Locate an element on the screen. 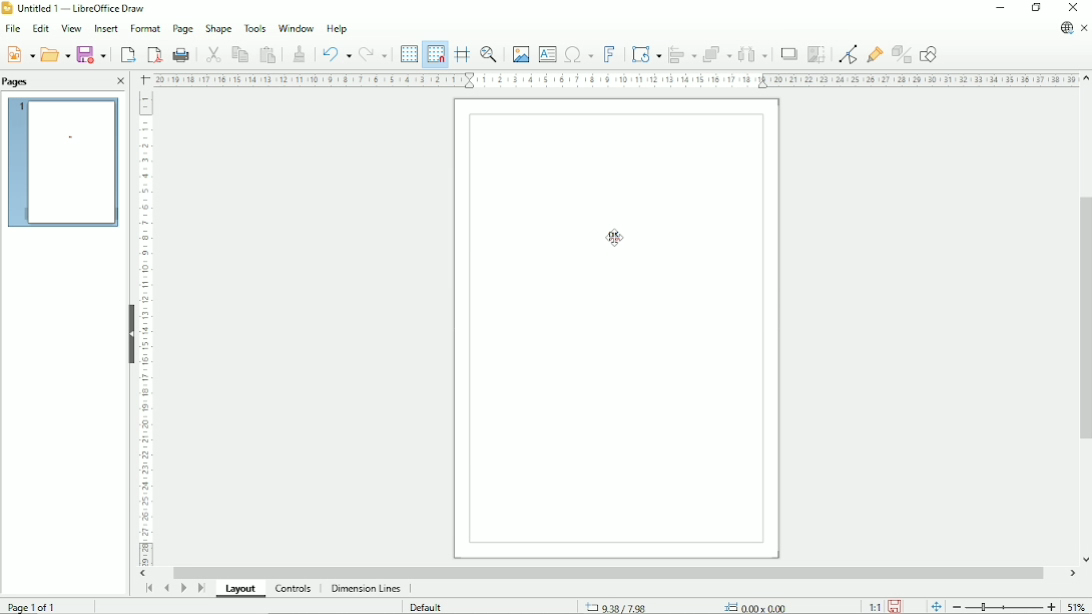  Horizontal scroll button is located at coordinates (1071, 573).